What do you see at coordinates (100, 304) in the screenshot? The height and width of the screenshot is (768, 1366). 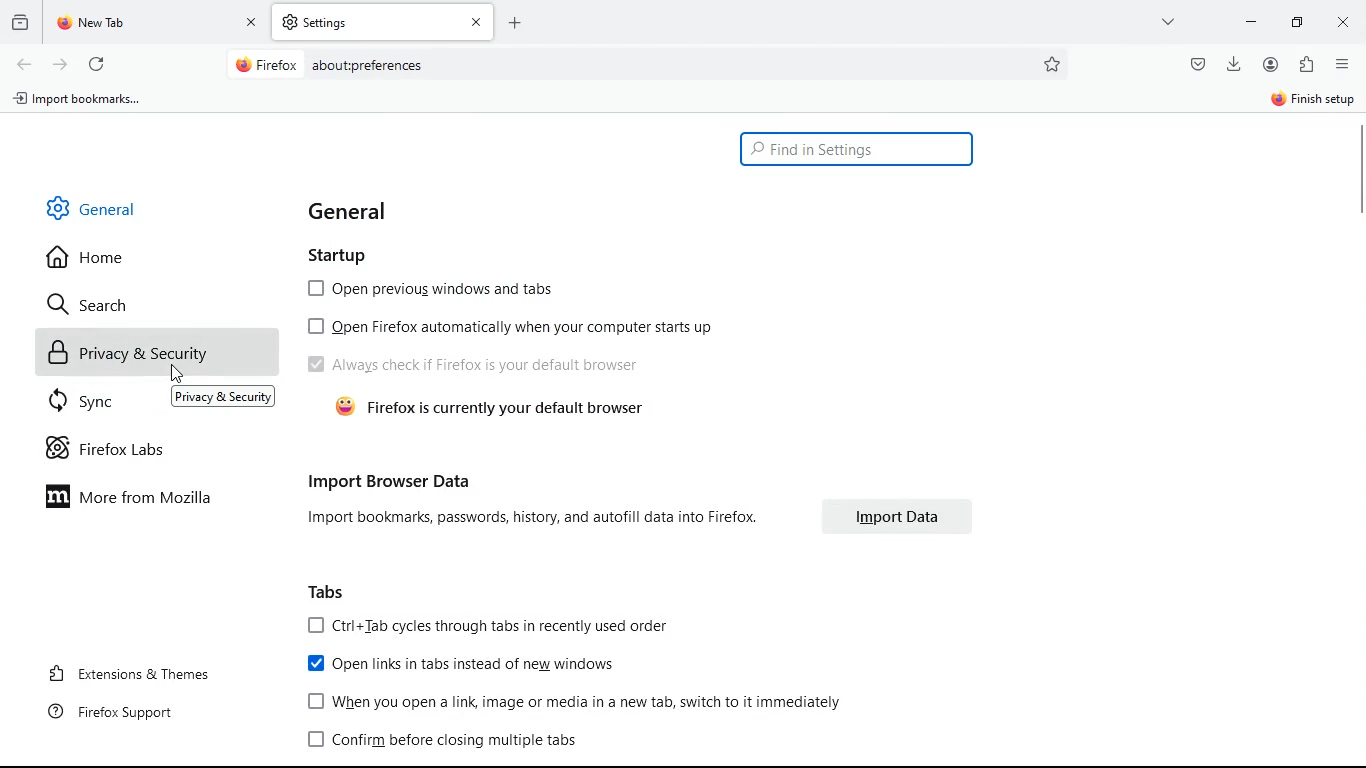 I see `search` at bounding box center [100, 304].